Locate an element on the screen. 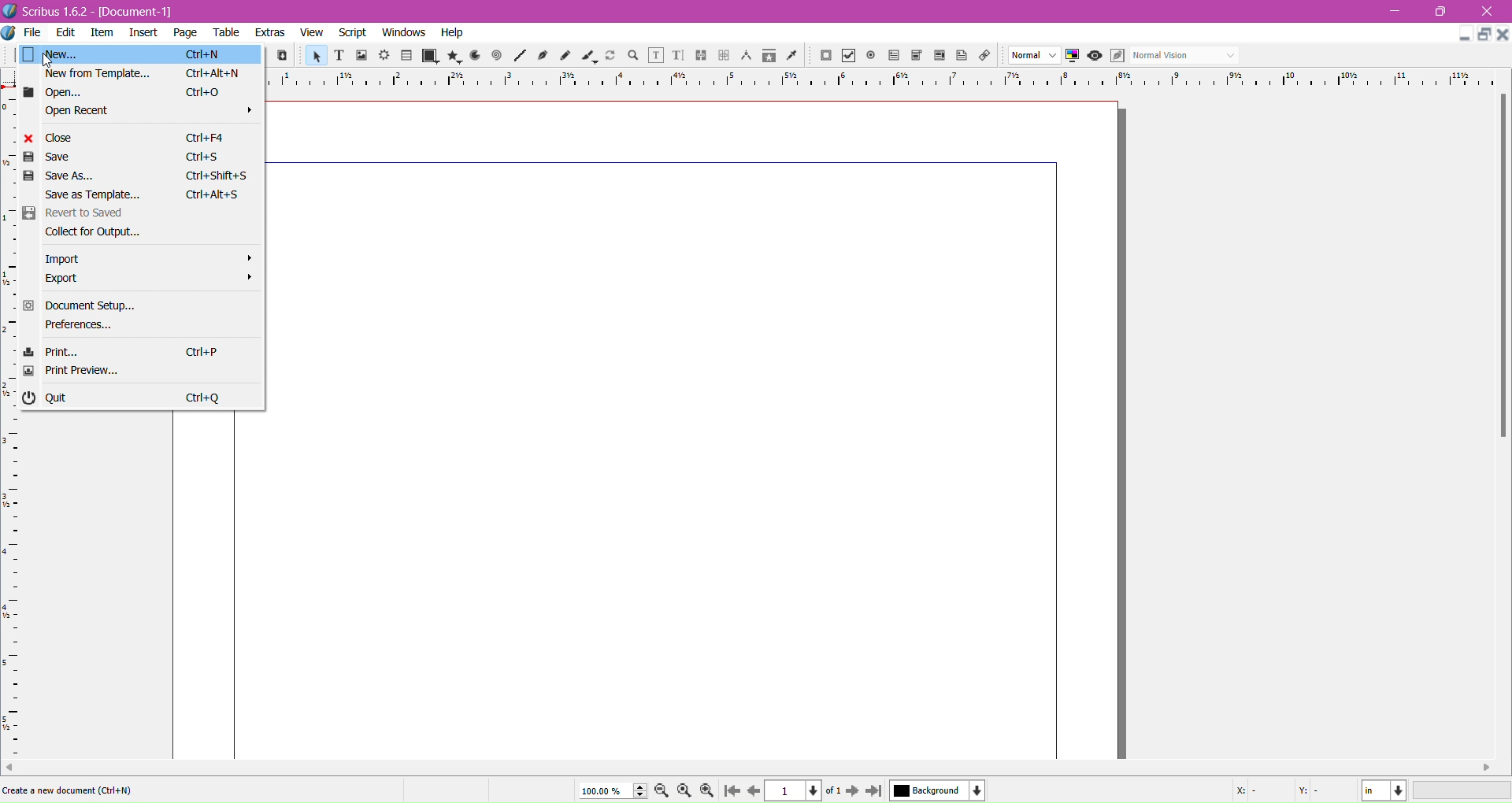 This screenshot has height=803, width=1512. Quit is located at coordinates (139, 394).